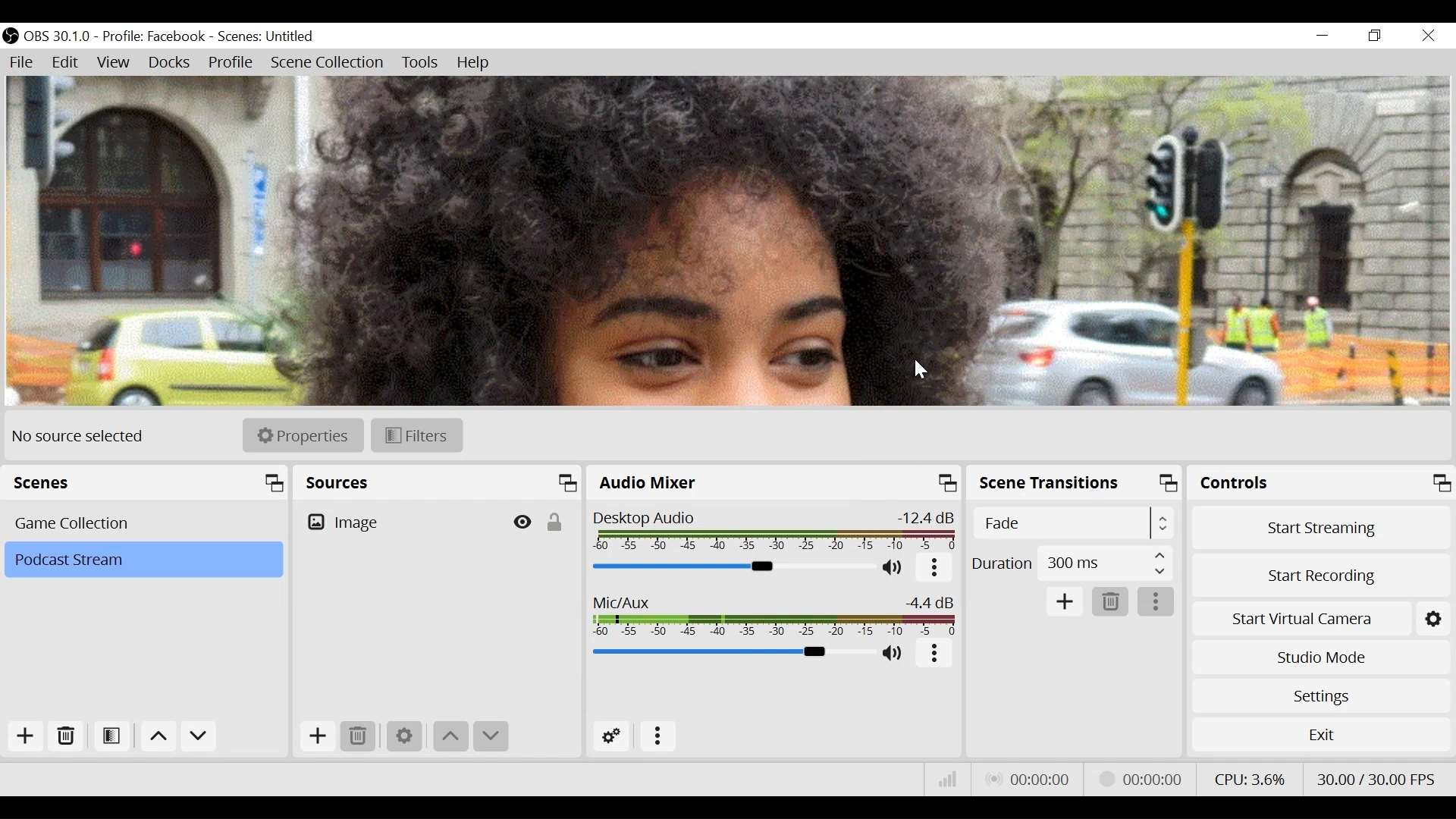  I want to click on Remove, so click(359, 738).